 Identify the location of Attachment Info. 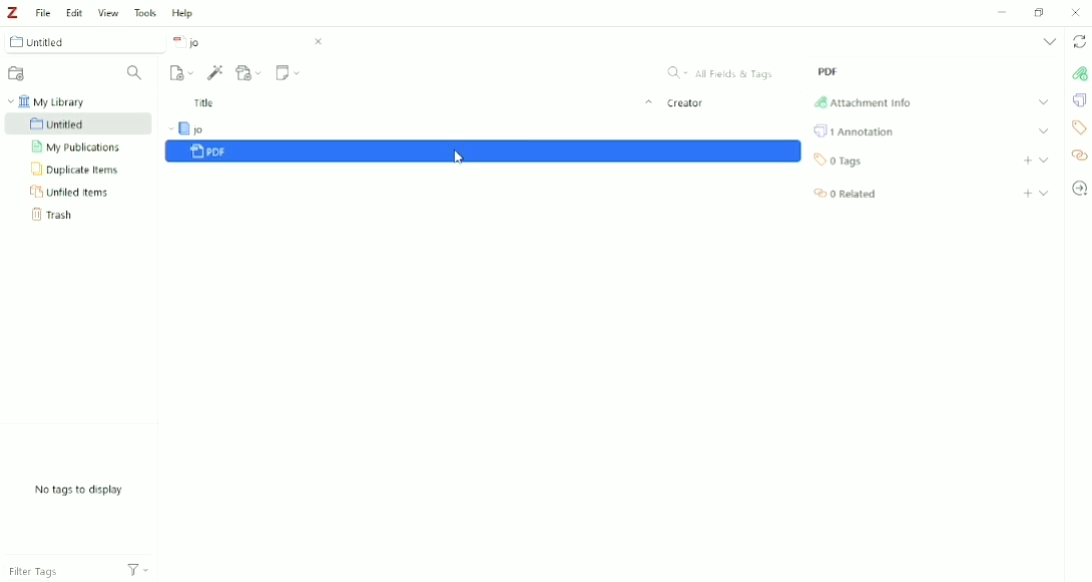
(1076, 74).